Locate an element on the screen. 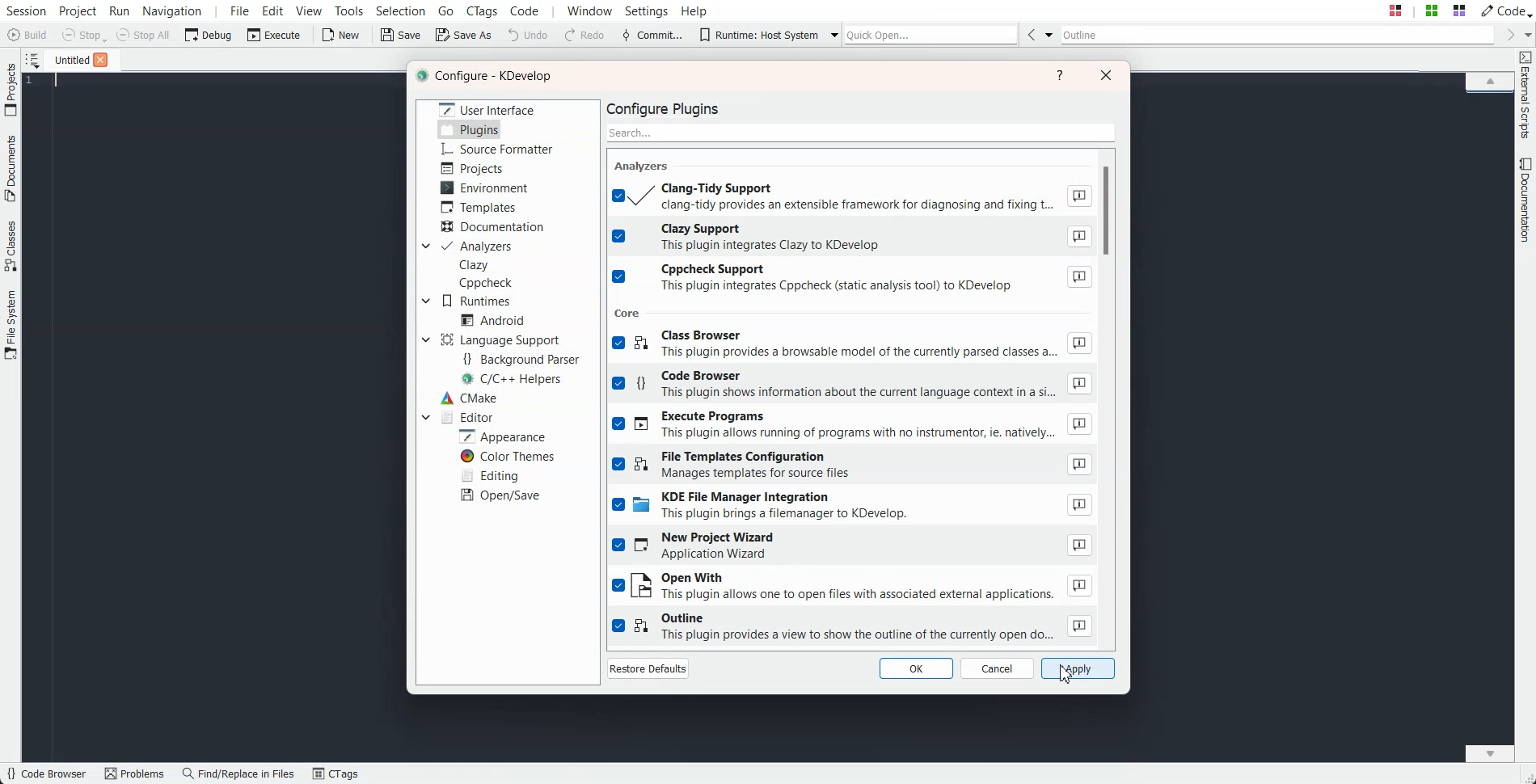 Image resolution: width=1536 pixels, height=784 pixels. Execute Programs is located at coordinates (853, 426).